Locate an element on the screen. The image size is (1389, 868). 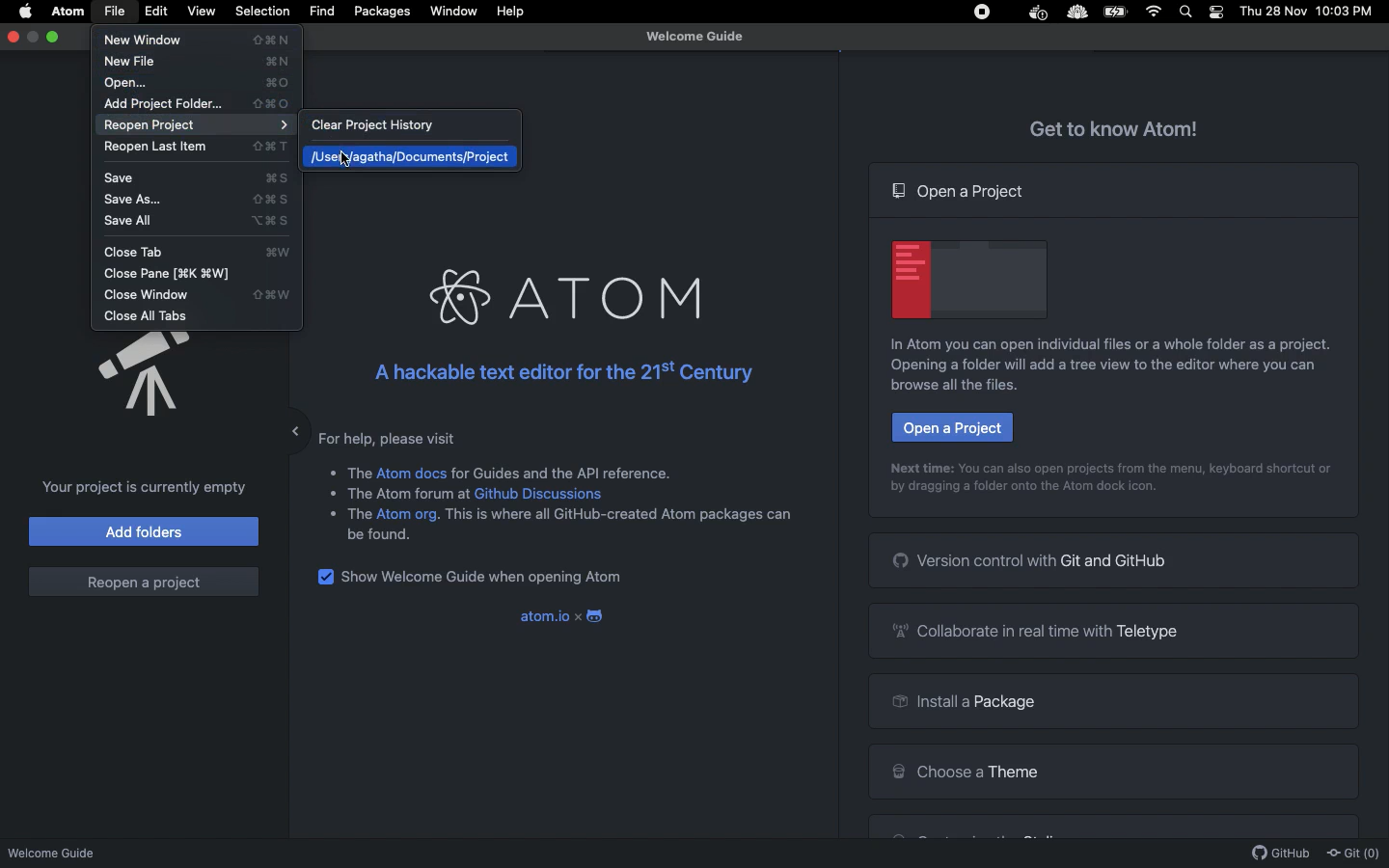
View is located at coordinates (201, 11).